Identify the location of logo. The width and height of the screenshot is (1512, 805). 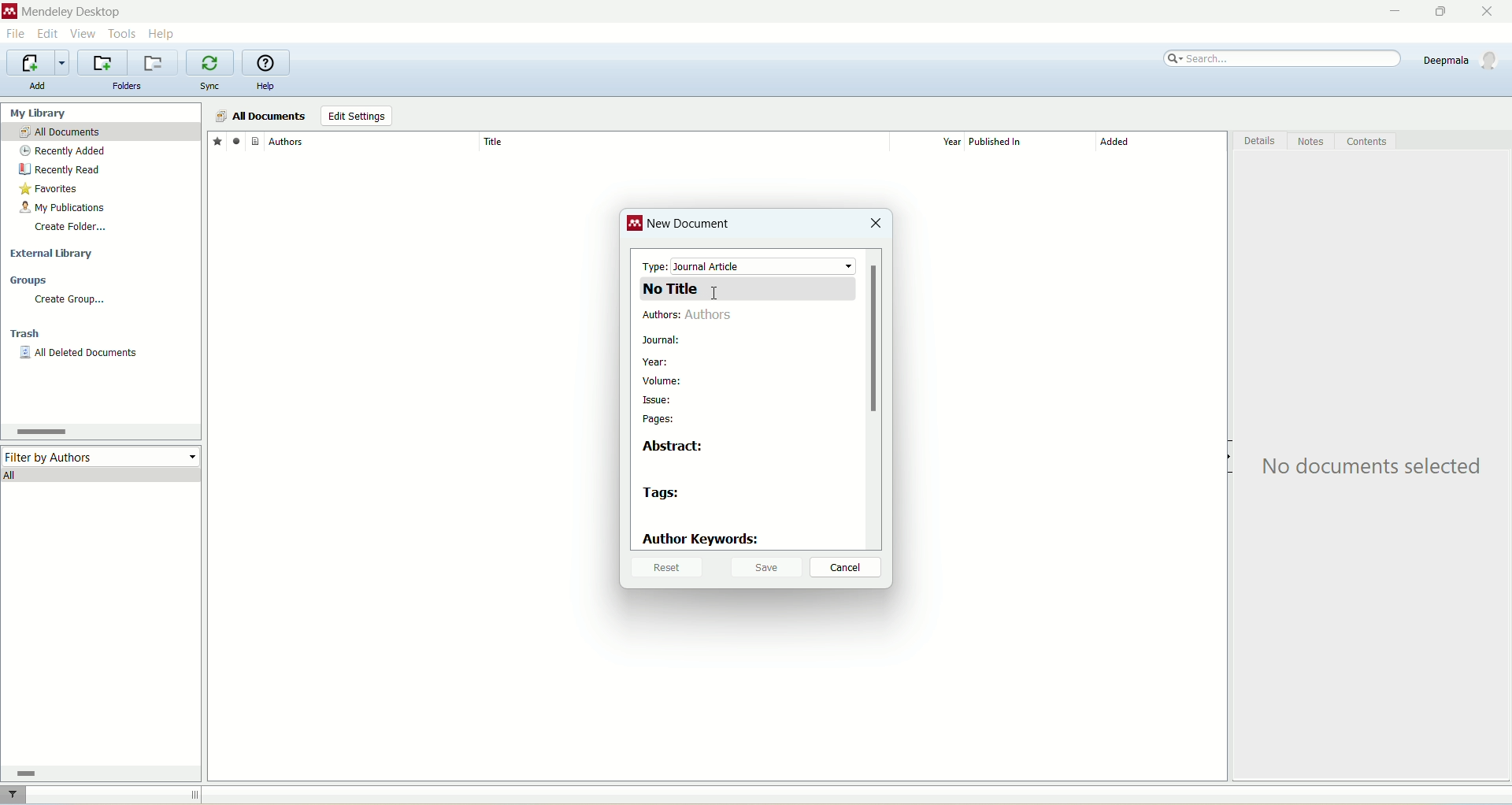
(636, 225).